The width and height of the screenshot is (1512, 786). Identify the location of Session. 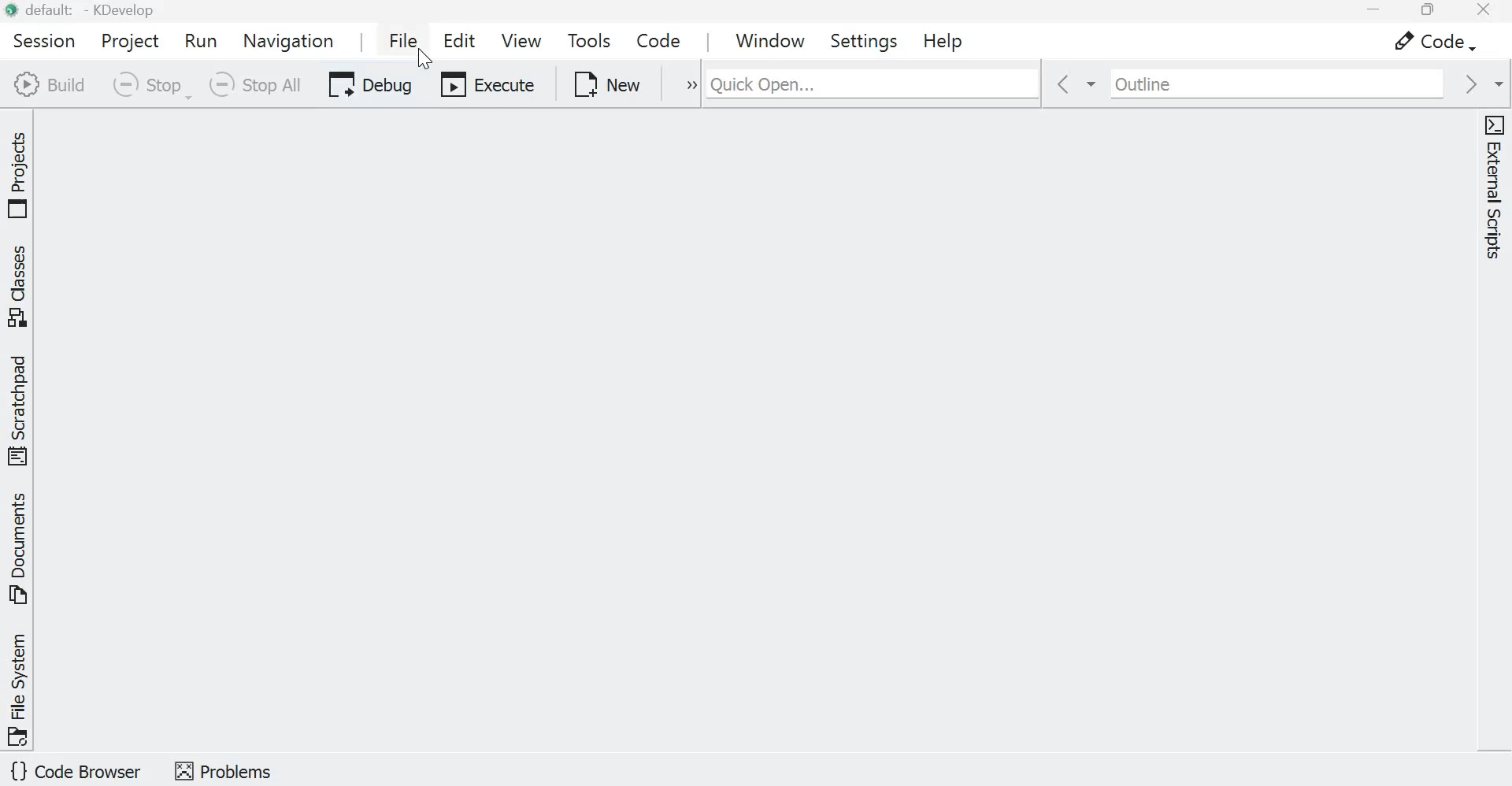
(40, 39).